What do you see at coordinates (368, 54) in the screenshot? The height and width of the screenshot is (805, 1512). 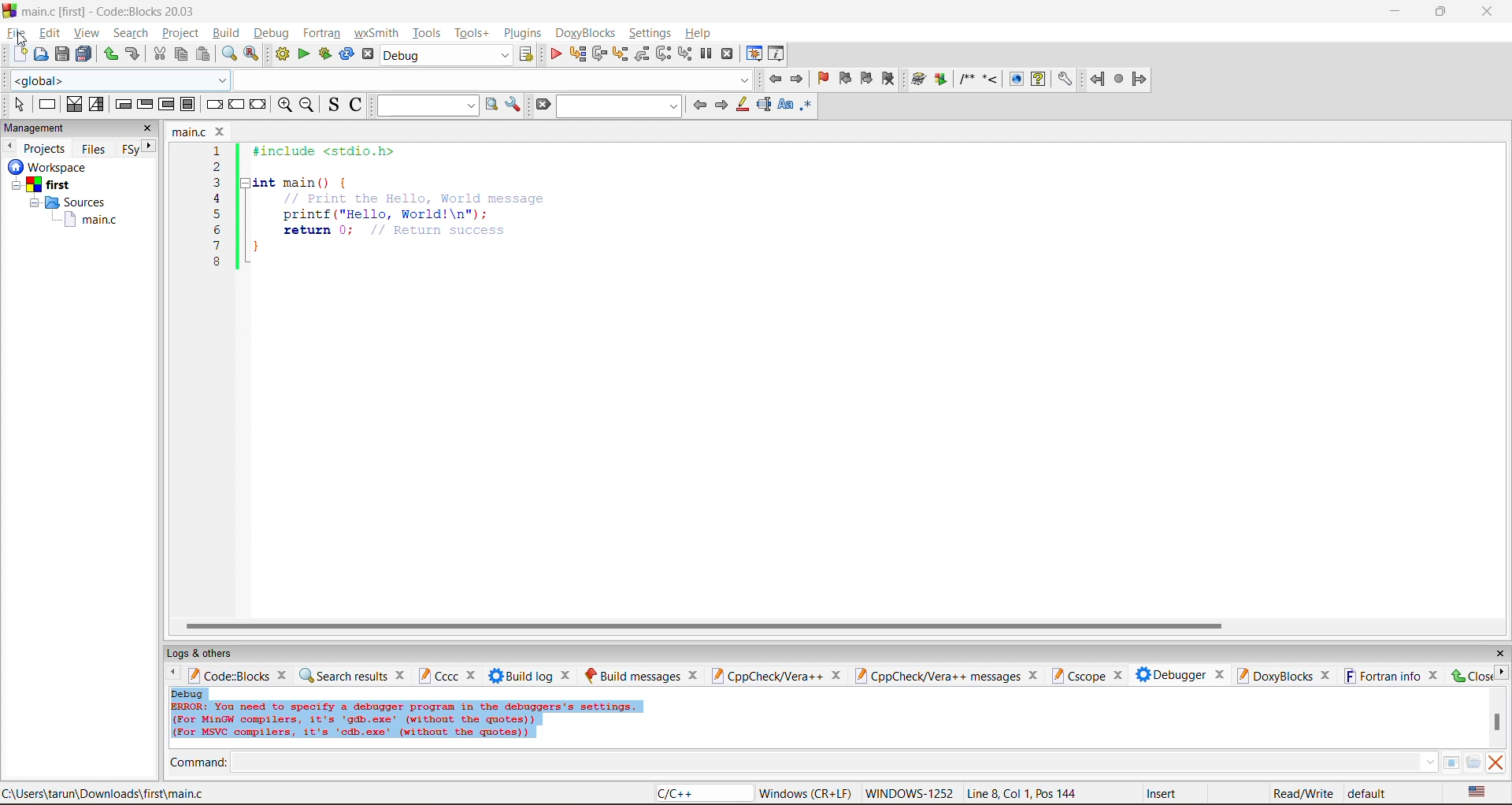 I see `abort` at bounding box center [368, 54].